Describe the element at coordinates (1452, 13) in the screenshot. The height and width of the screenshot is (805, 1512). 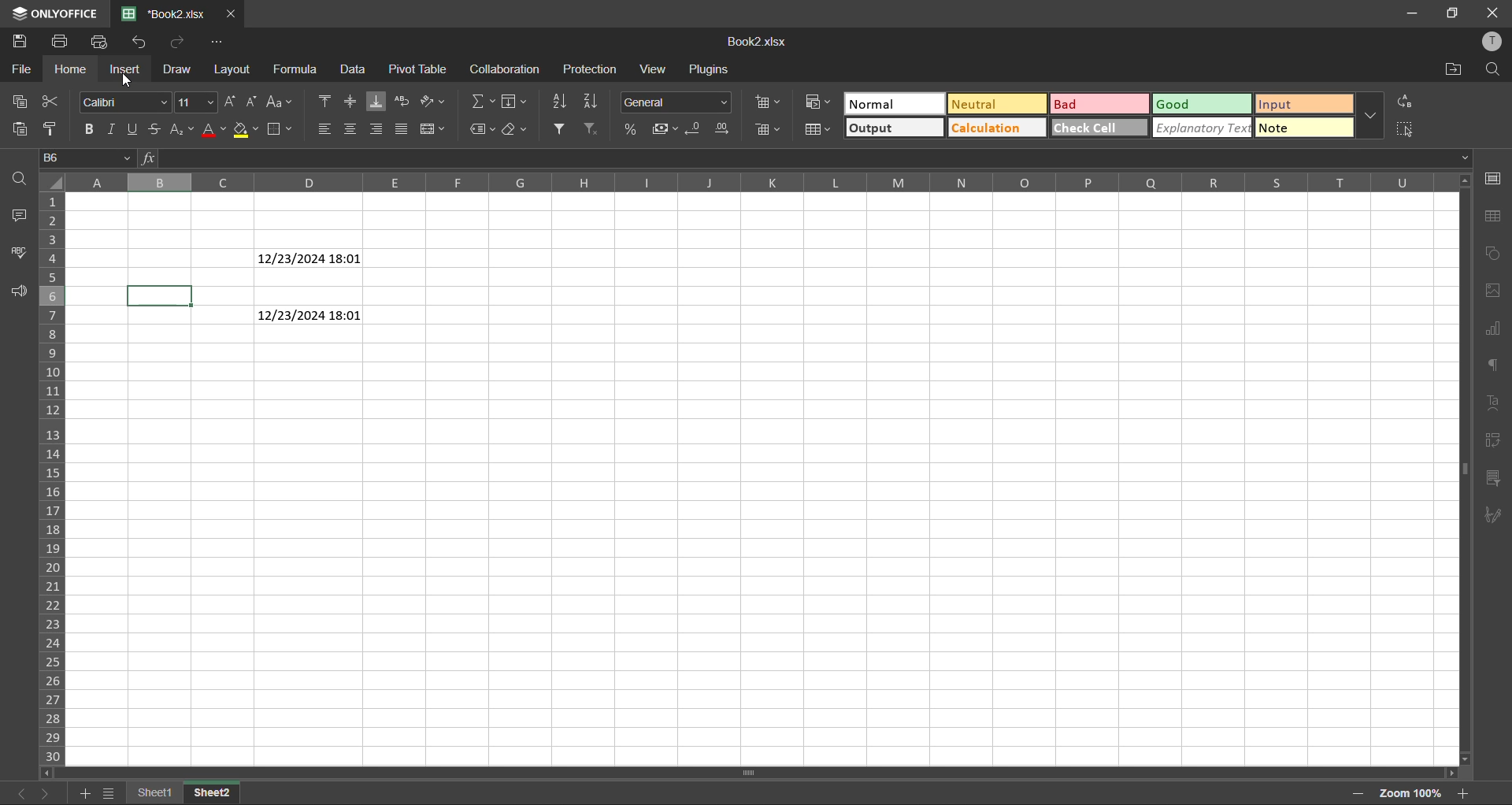
I see `maximize` at that location.